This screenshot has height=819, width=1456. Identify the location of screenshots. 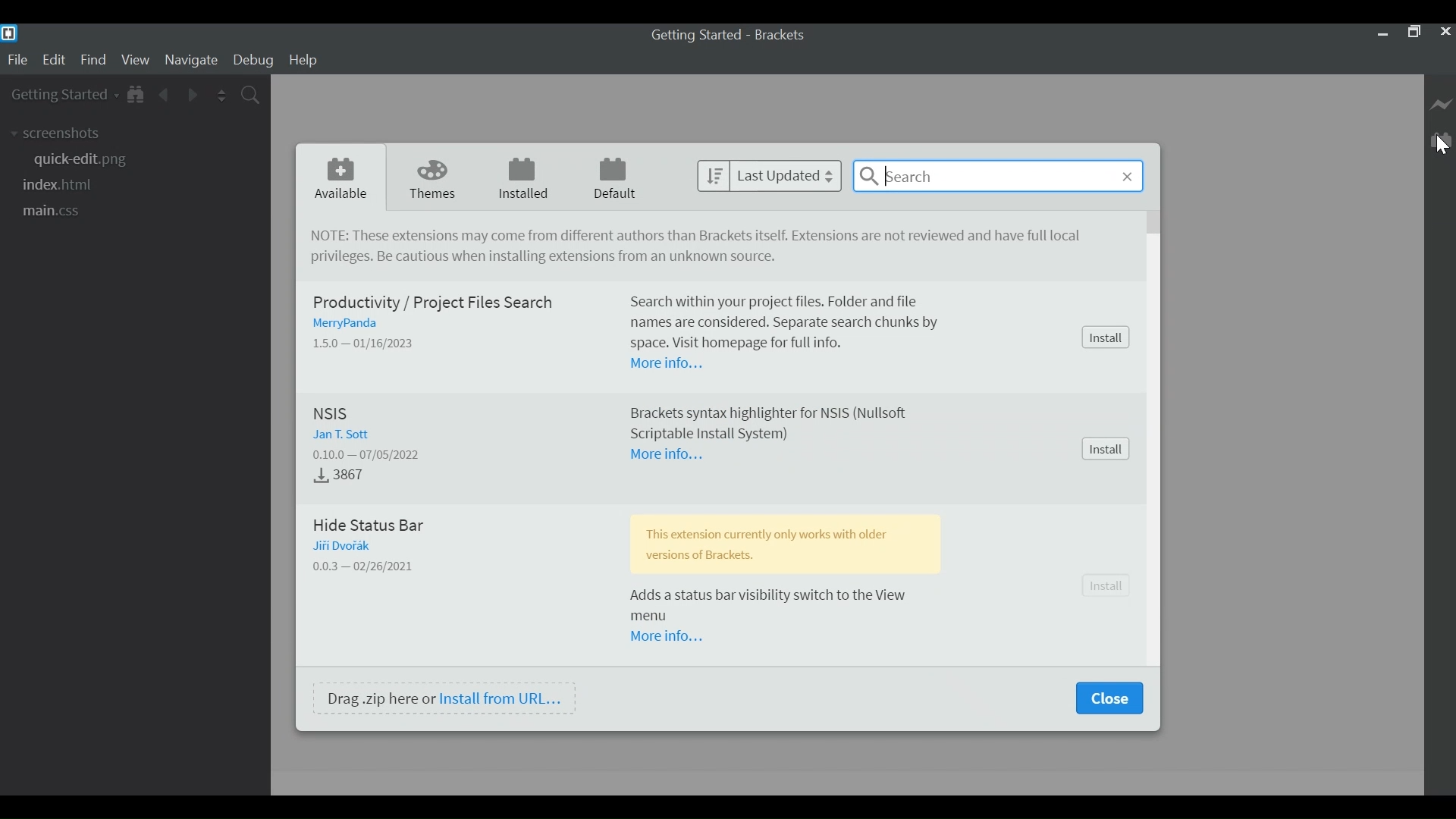
(56, 133).